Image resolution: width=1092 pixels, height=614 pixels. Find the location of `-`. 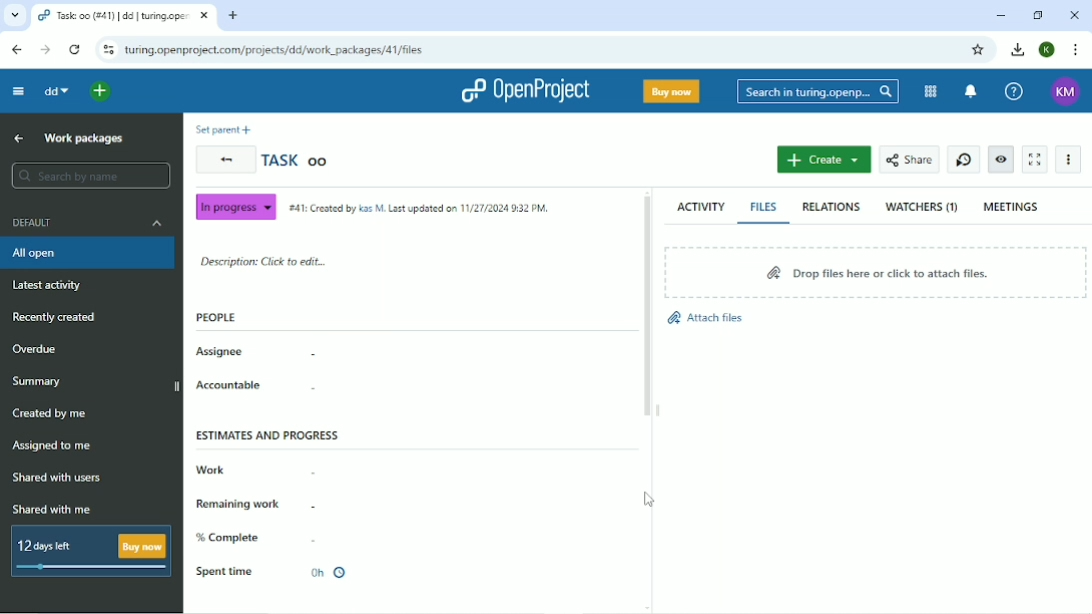

- is located at coordinates (324, 507).